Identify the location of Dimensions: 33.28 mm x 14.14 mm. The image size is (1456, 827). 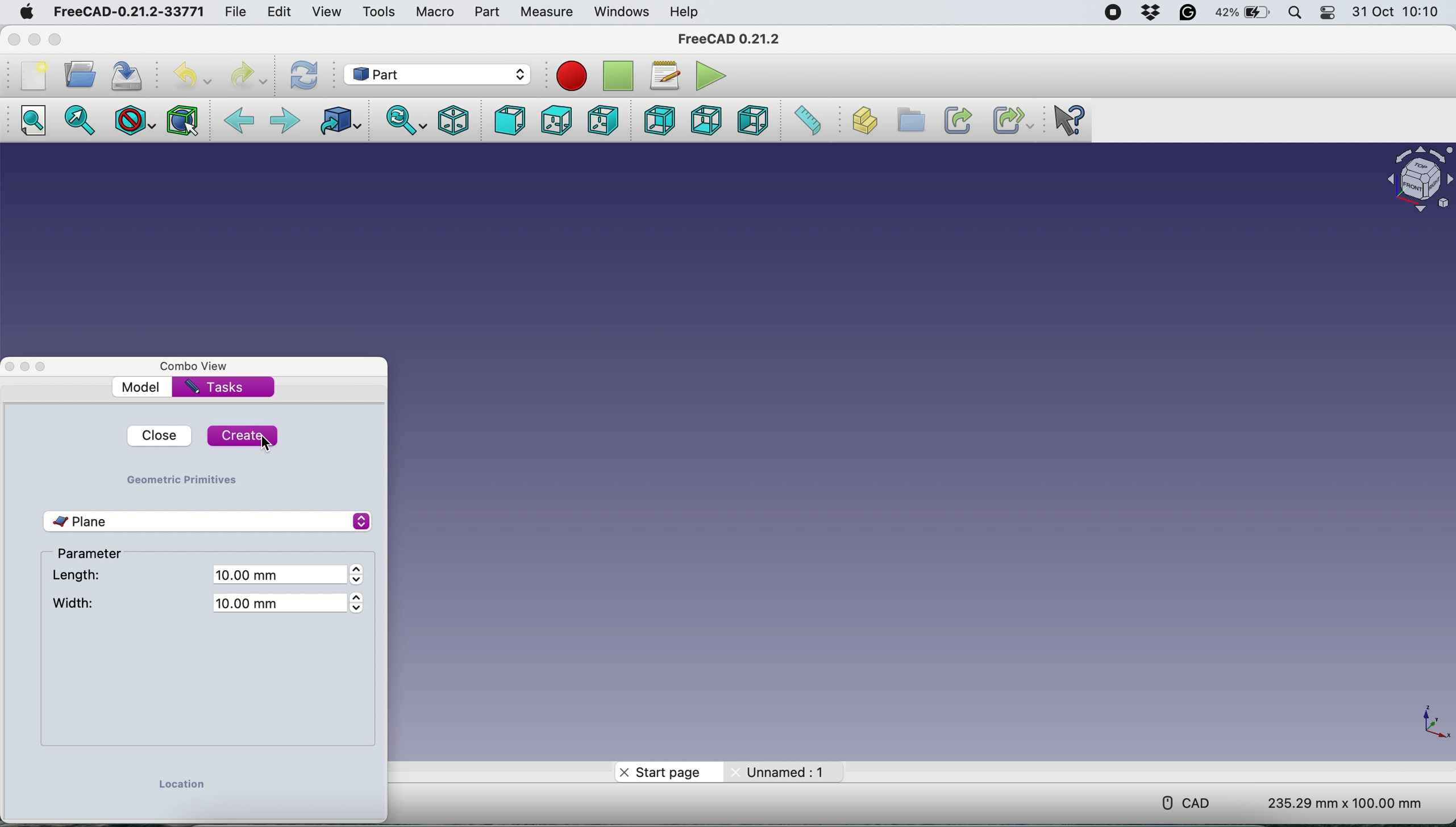
(1346, 801).